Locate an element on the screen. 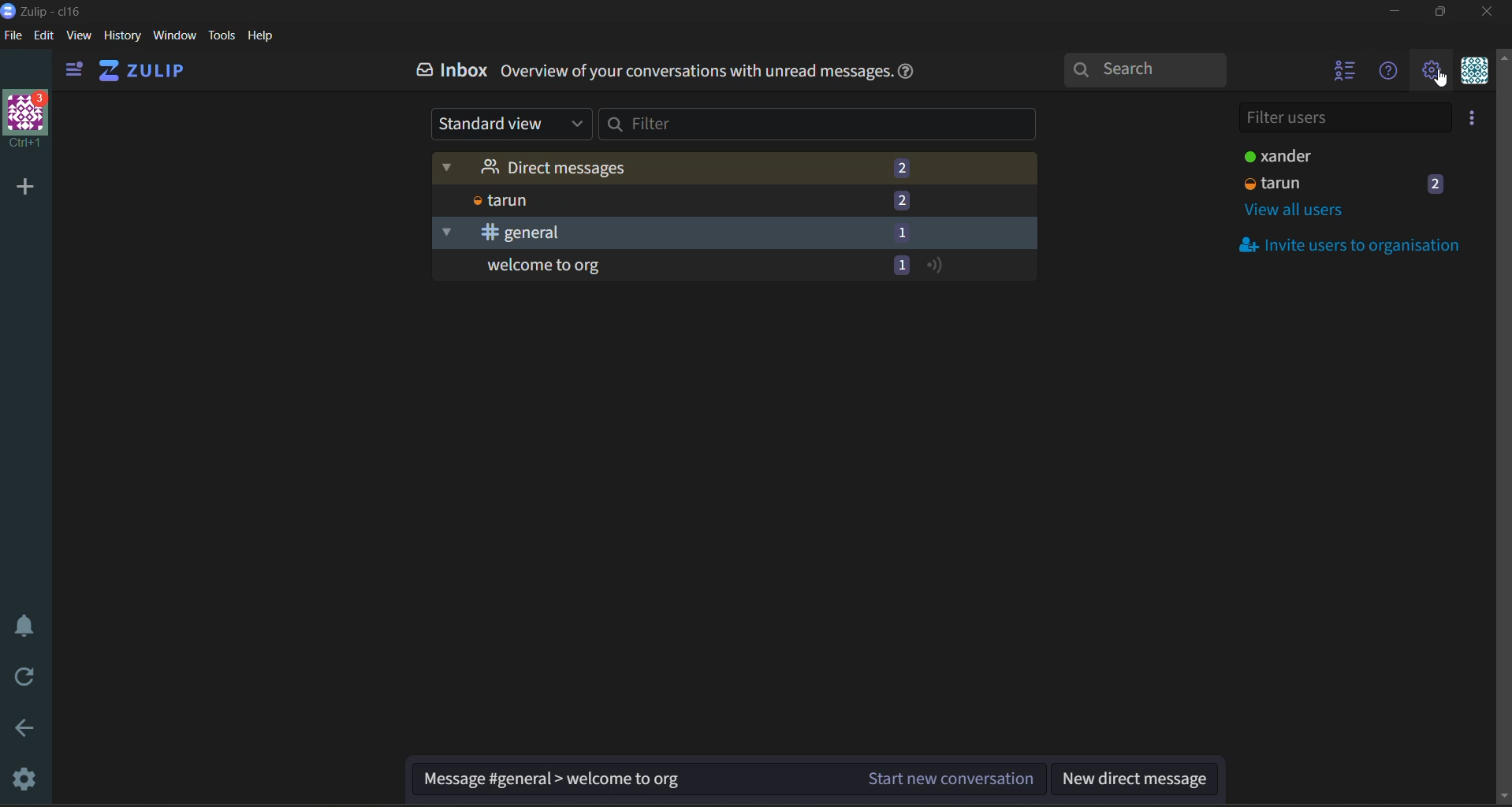  active status is located at coordinates (935, 264).